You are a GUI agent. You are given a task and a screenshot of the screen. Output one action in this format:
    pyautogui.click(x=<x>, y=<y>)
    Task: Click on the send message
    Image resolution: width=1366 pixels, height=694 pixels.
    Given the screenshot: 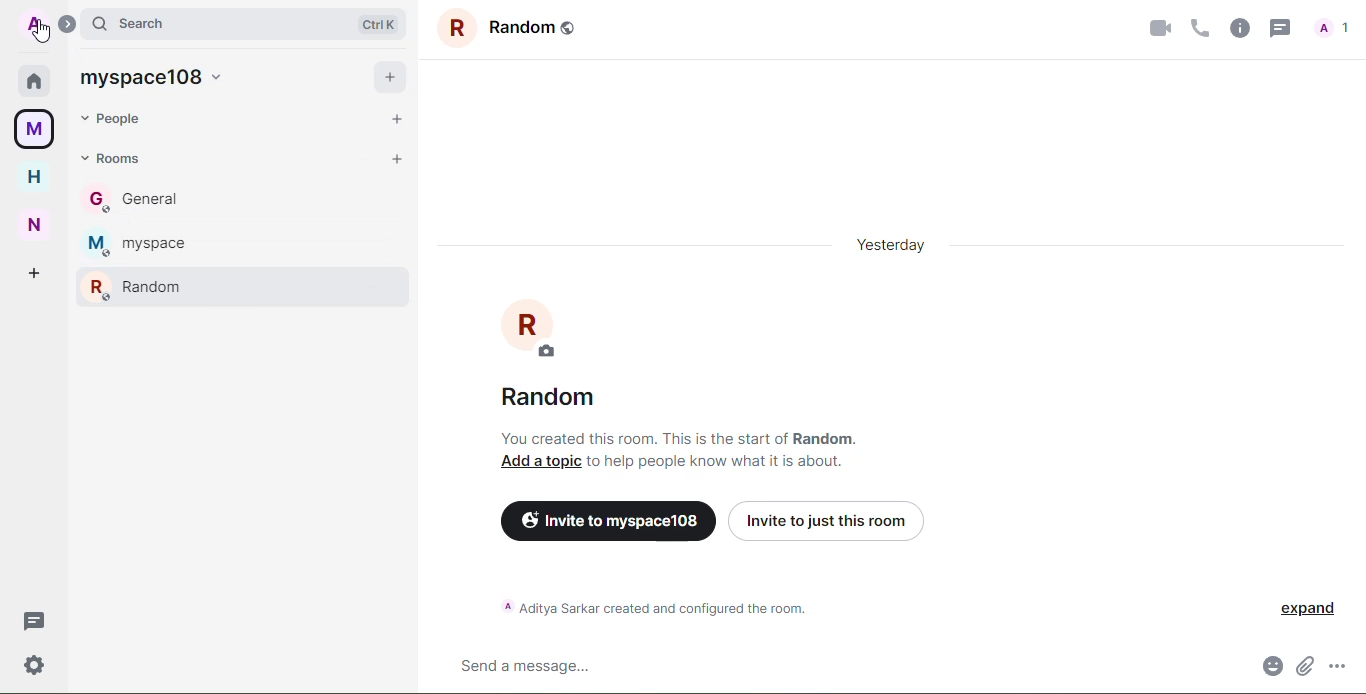 What is the action you would take?
    pyautogui.click(x=533, y=665)
    